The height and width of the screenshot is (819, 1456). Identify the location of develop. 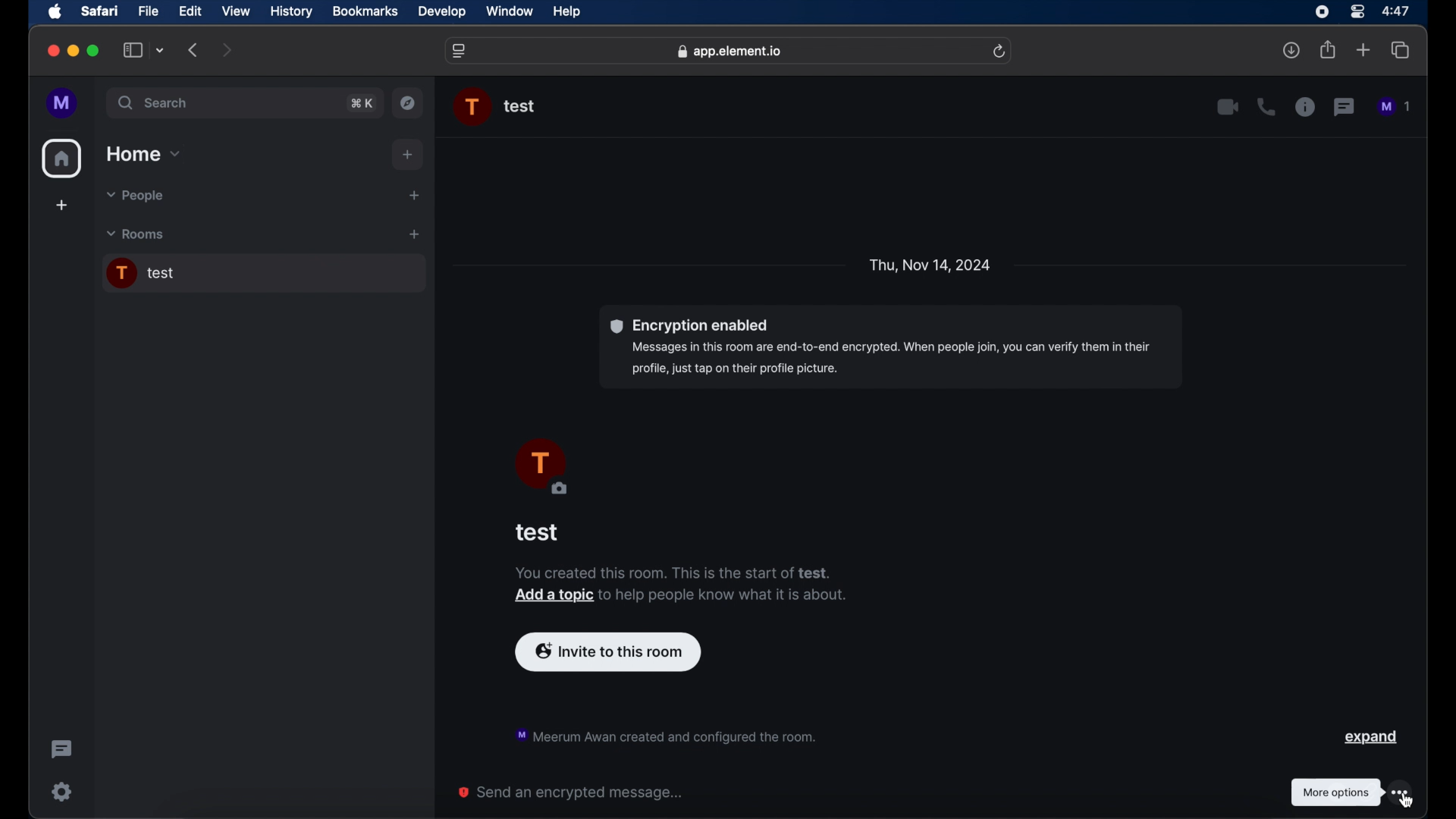
(442, 12).